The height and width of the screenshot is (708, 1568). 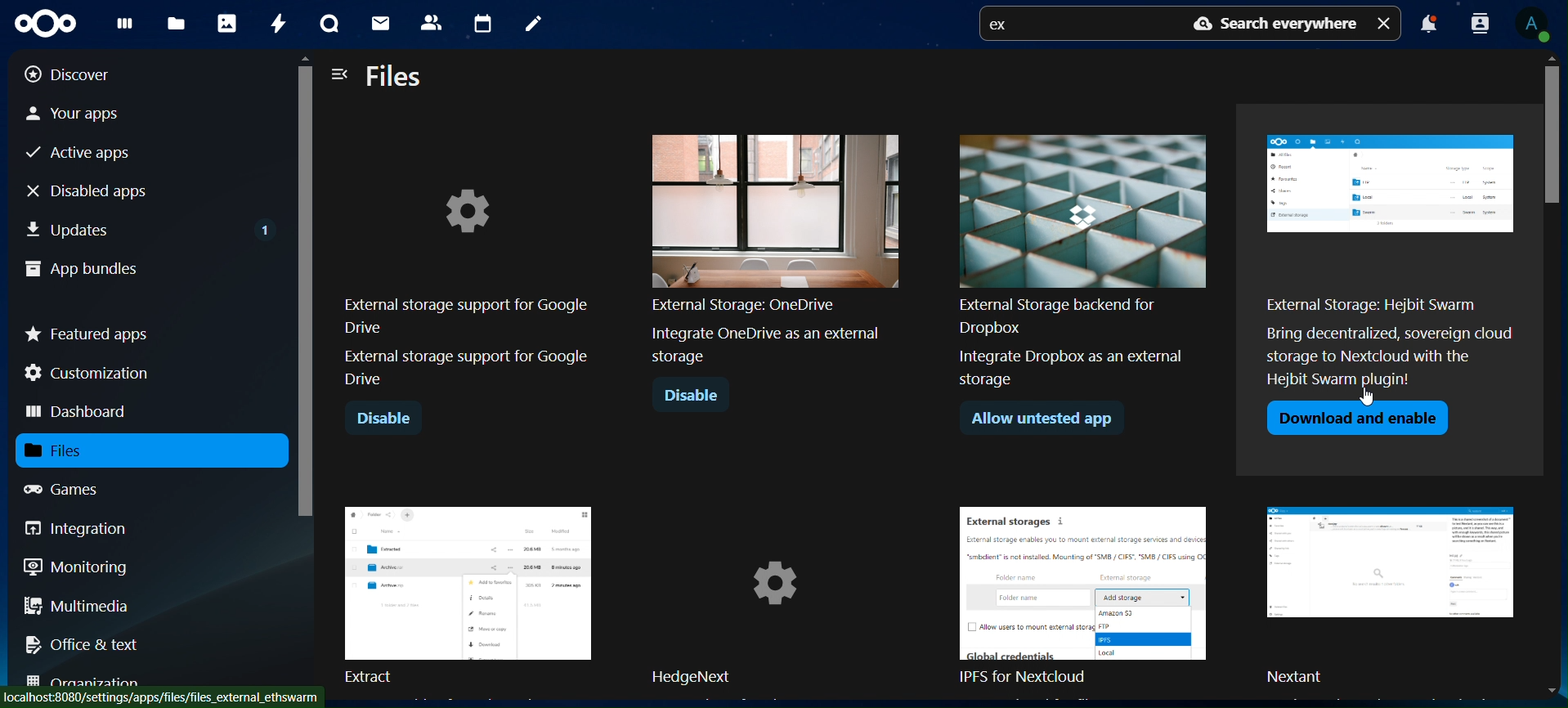 I want to click on files, so click(x=75, y=450).